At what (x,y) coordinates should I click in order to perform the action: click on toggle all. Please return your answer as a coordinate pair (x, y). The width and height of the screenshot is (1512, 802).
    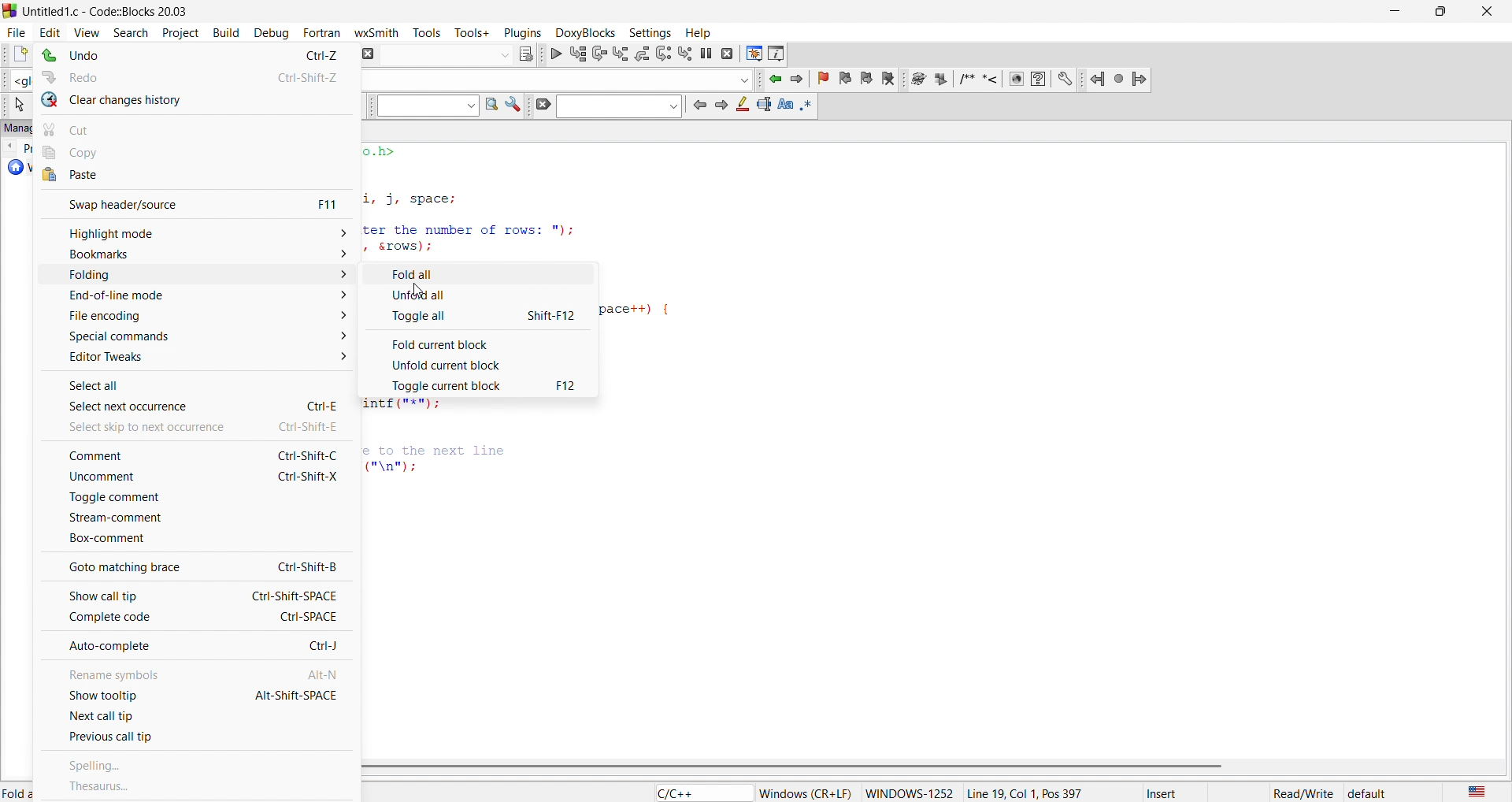
    Looking at the image, I should click on (481, 317).